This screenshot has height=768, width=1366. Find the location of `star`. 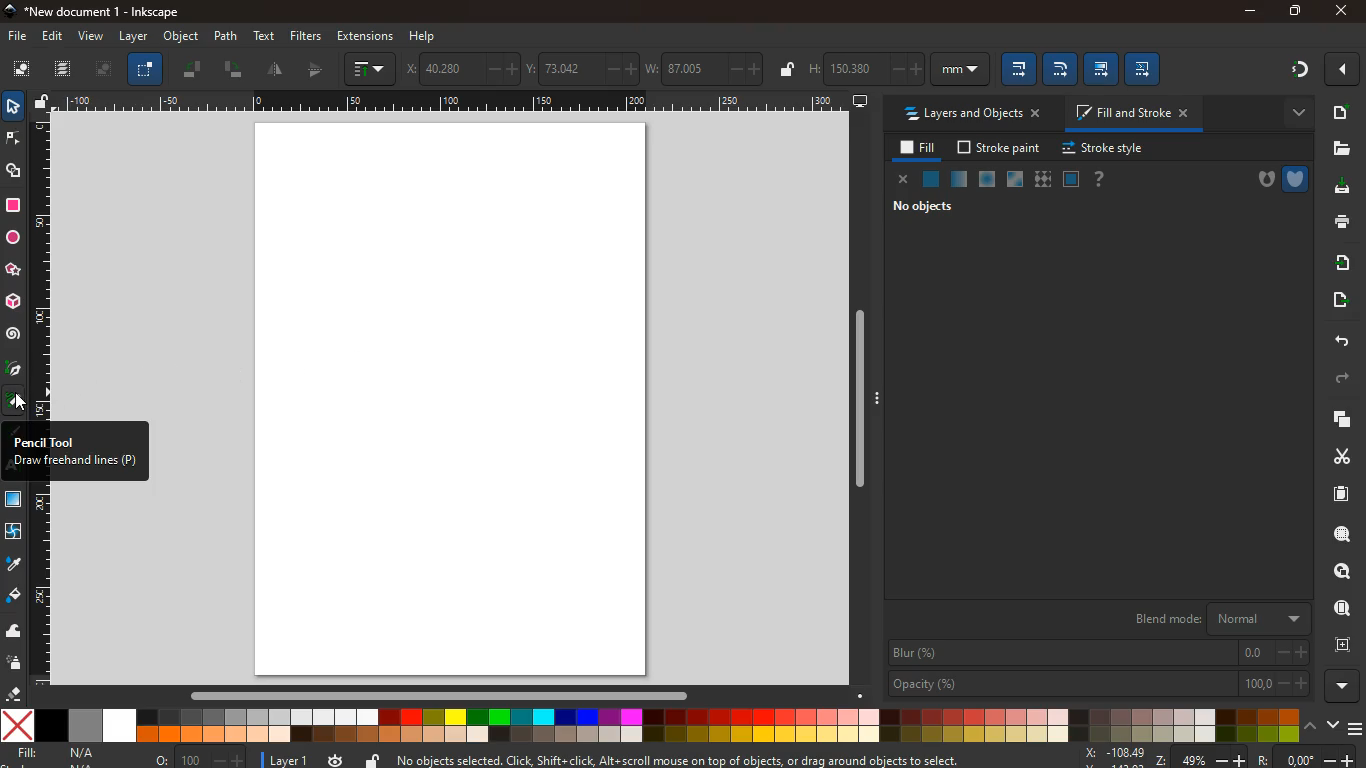

star is located at coordinates (15, 270).